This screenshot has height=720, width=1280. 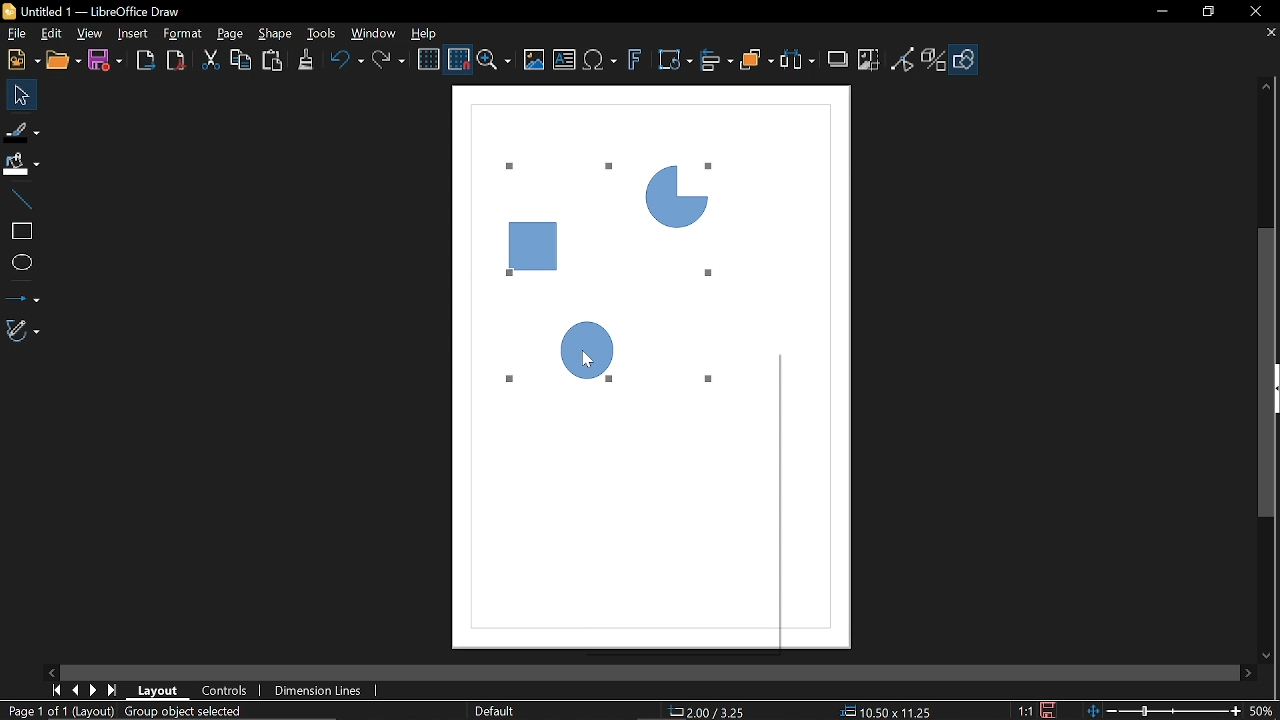 I want to click on Copy, so click(x=241, y=60).